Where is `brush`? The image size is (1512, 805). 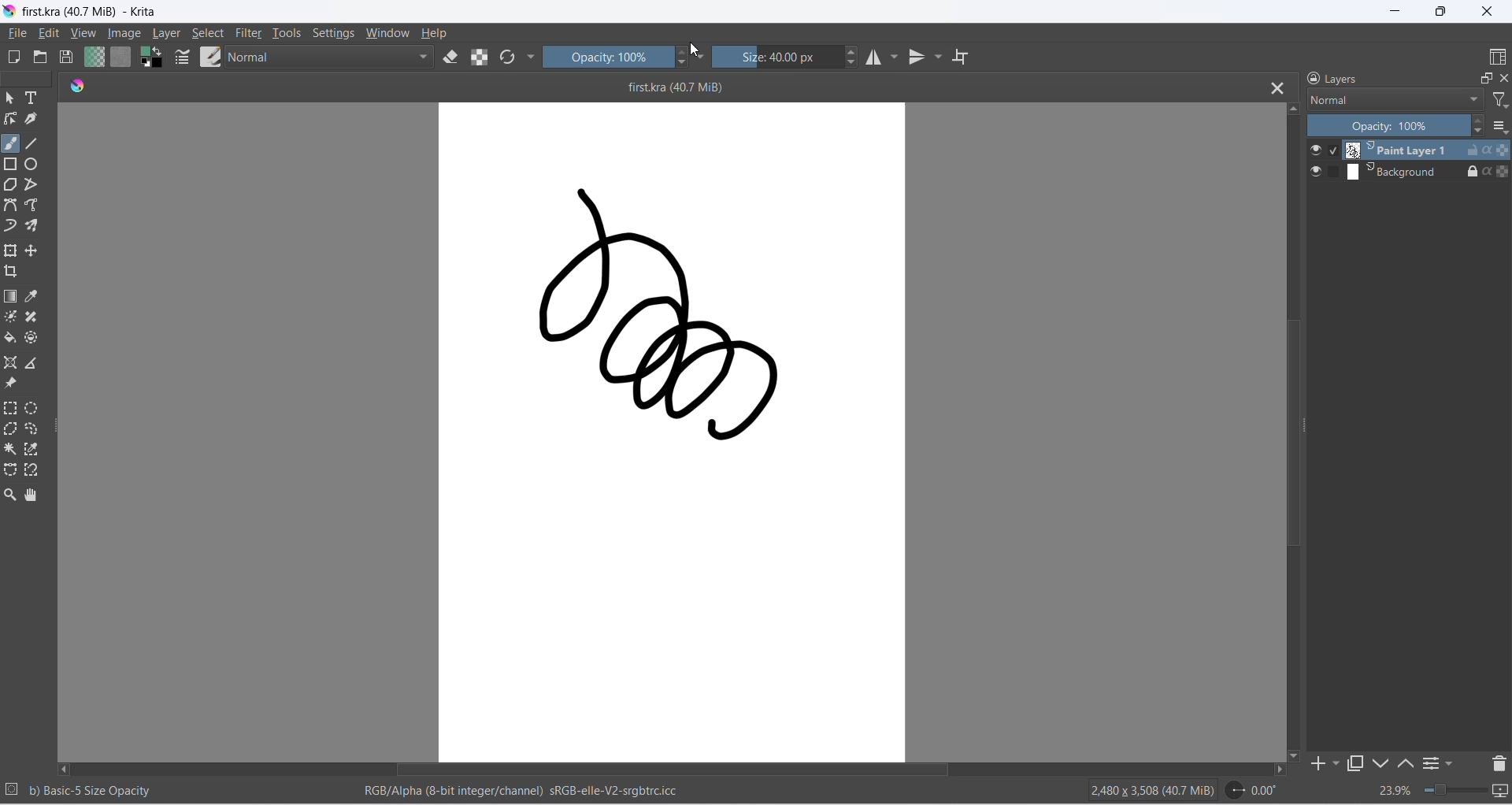 brush is located at coordinates (10, 143).